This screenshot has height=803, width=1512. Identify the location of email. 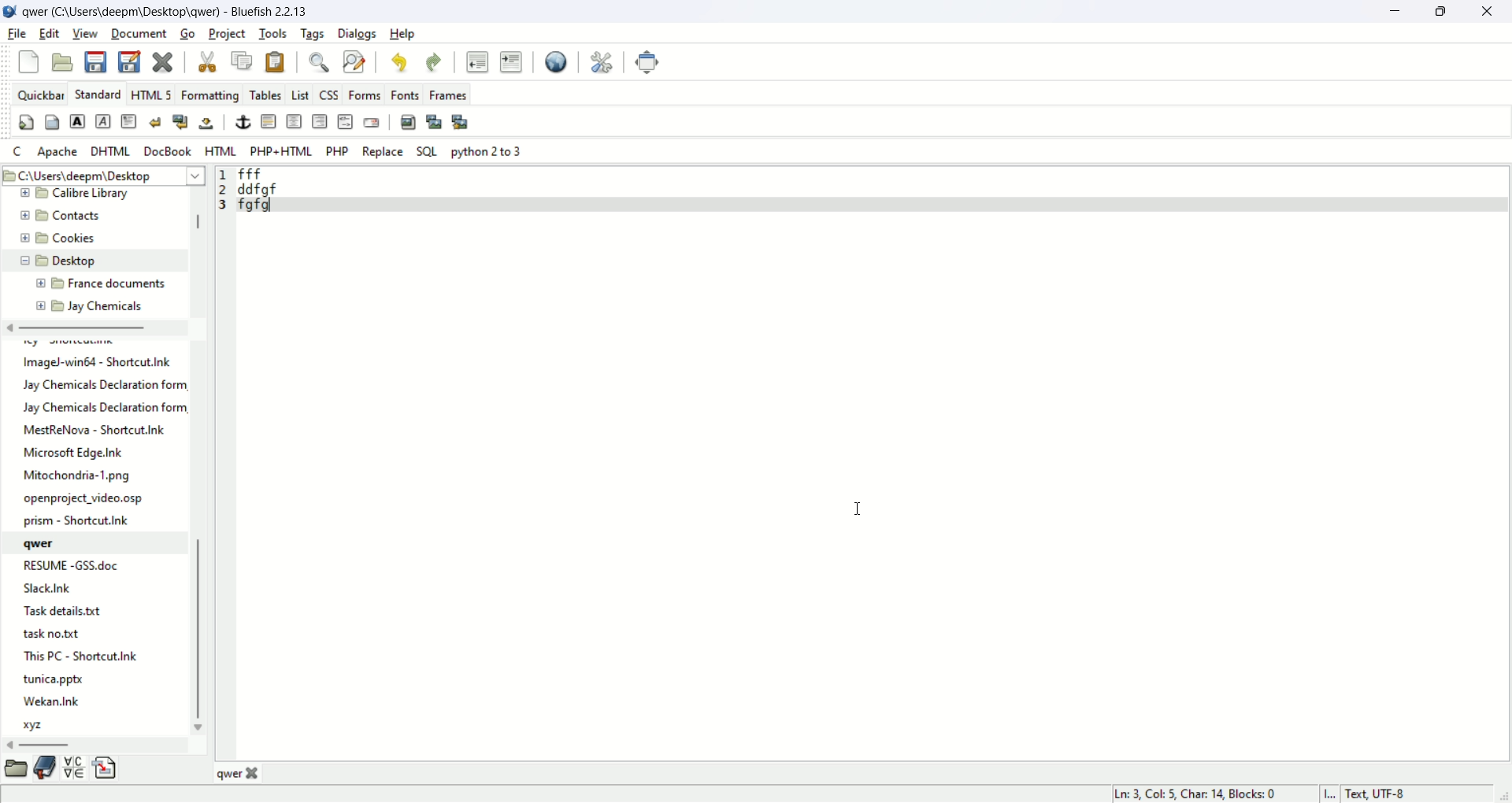
(372, 122).